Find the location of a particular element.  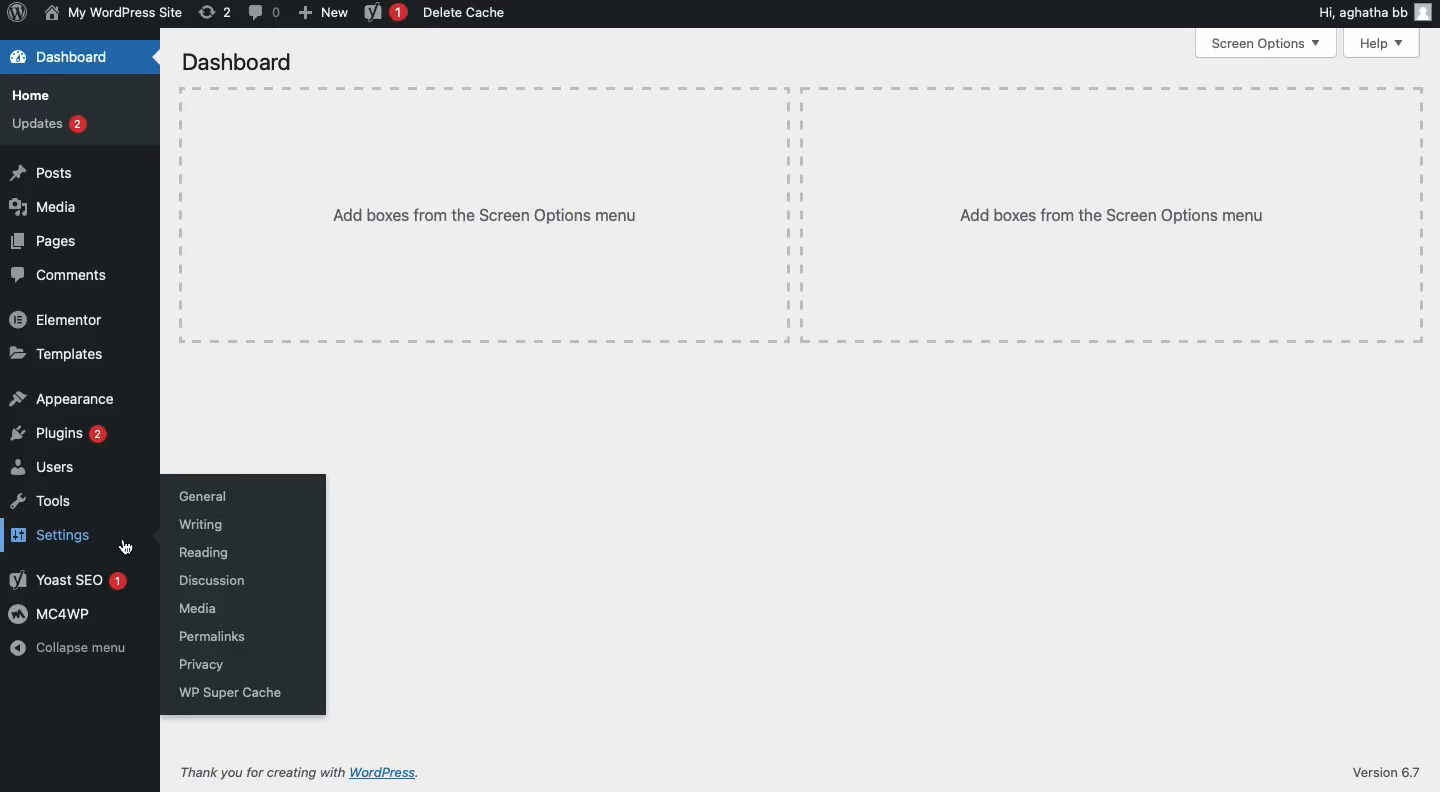

Appearance is located at coordinates (61, 399).